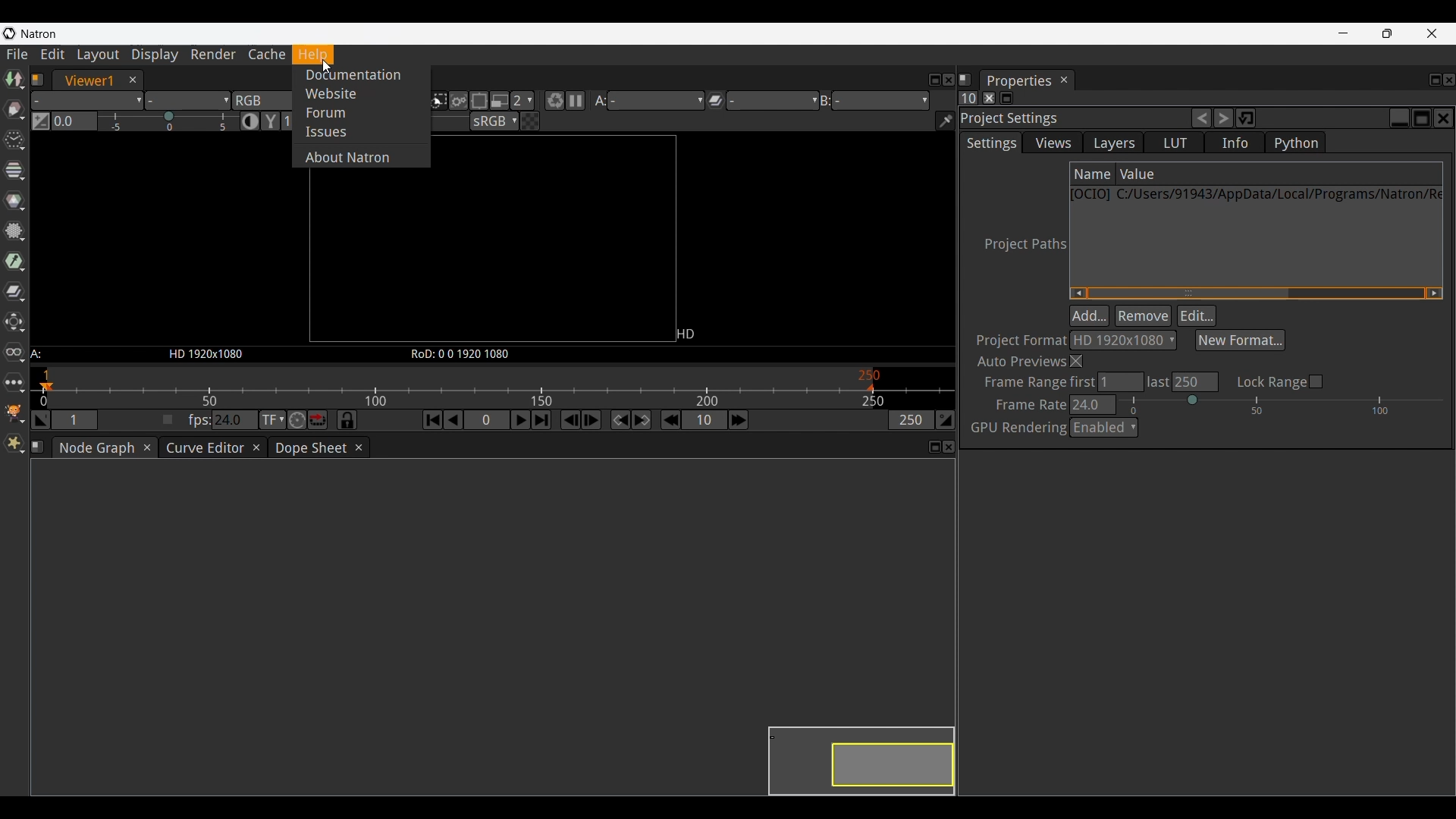  Describe the element at coordinates (360, 75) in the screenshot. I see `Documentation` at that location.